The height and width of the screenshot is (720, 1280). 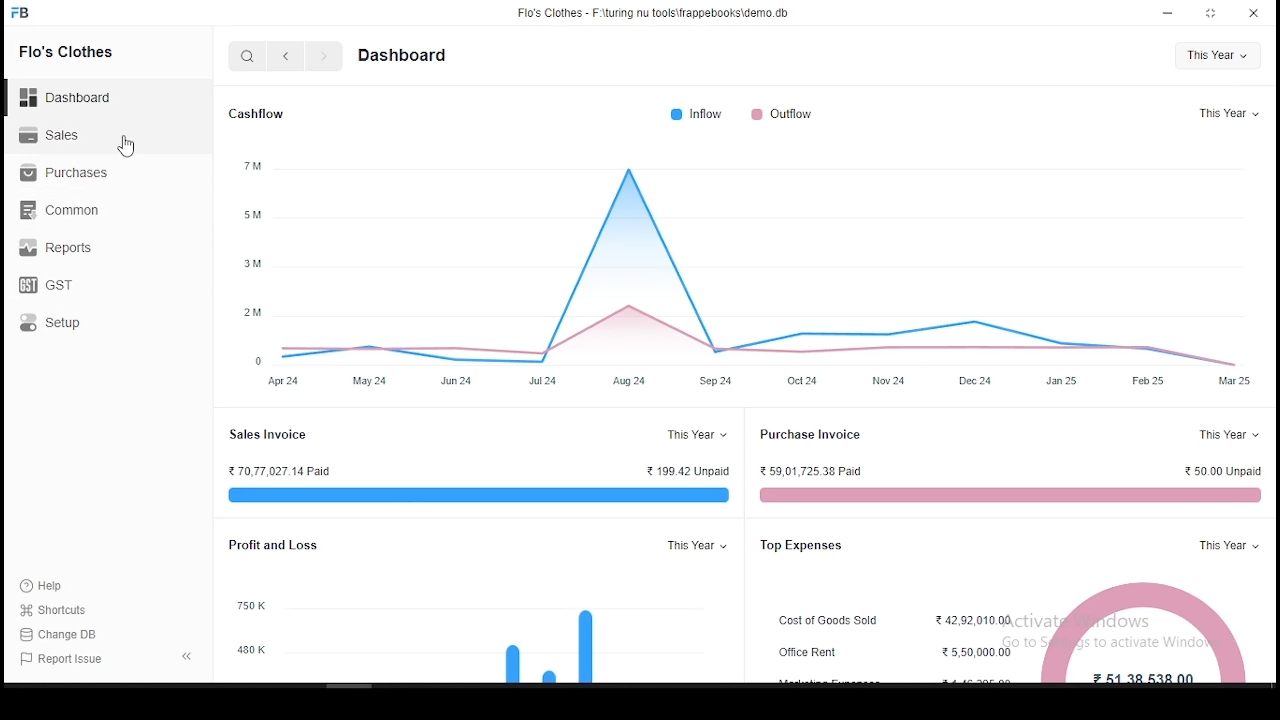 I want to click on outflow, so click(x=791, y=114).